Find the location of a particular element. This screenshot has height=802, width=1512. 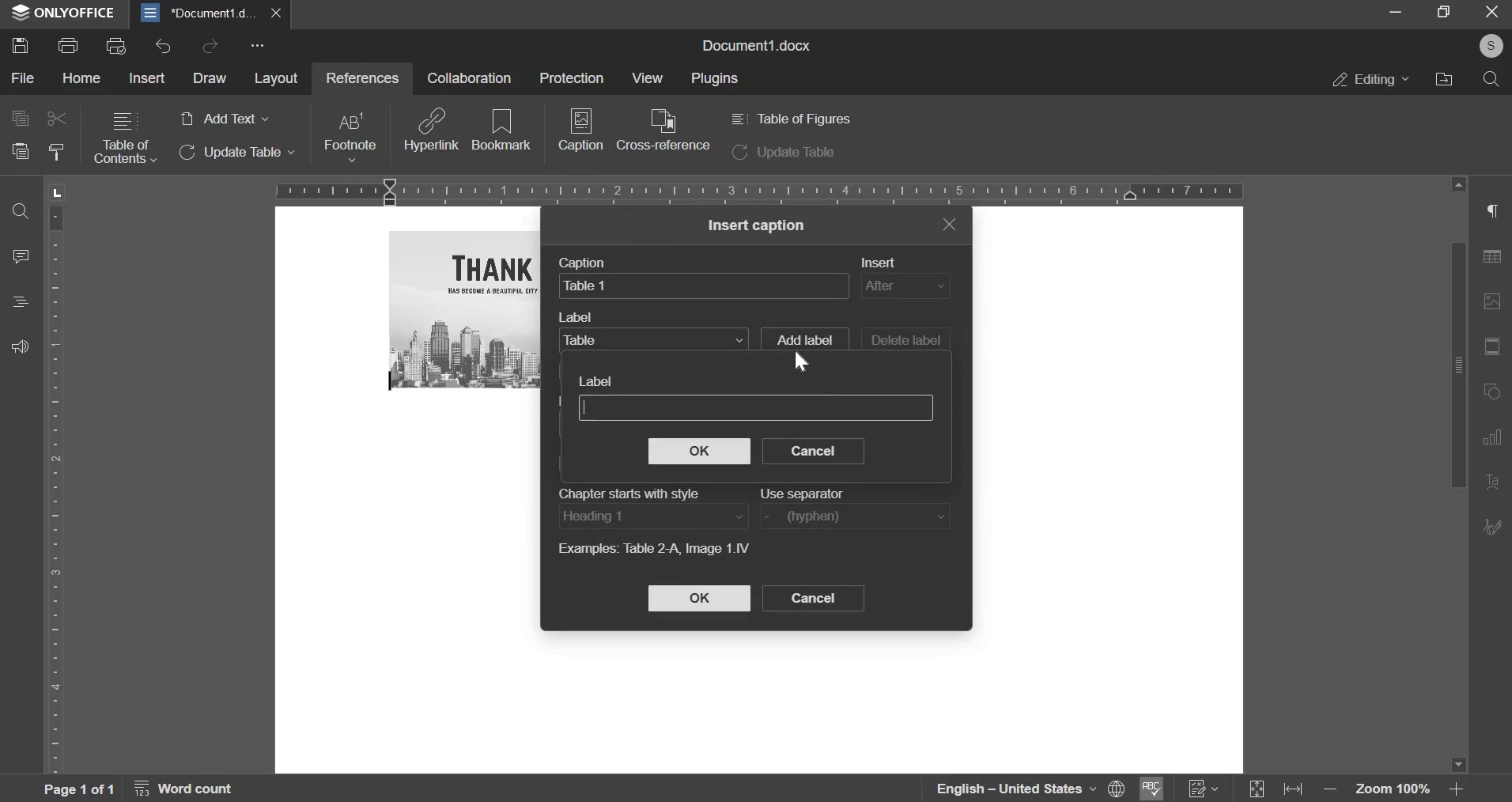

insert is located at coordinates (149, 77).